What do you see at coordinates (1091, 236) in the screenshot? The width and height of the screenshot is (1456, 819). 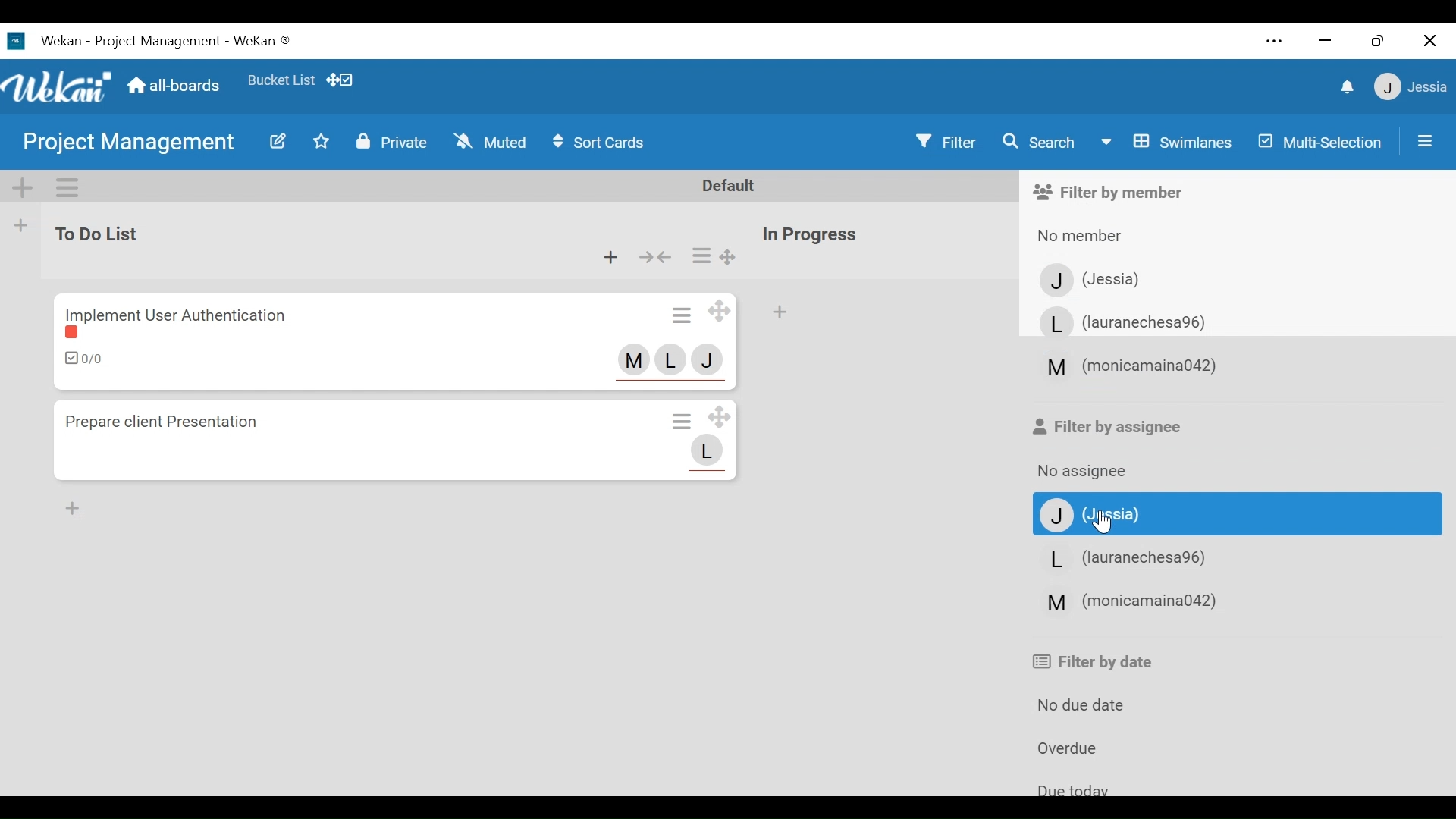 I see `No member` at bounding box center [1091, 236].